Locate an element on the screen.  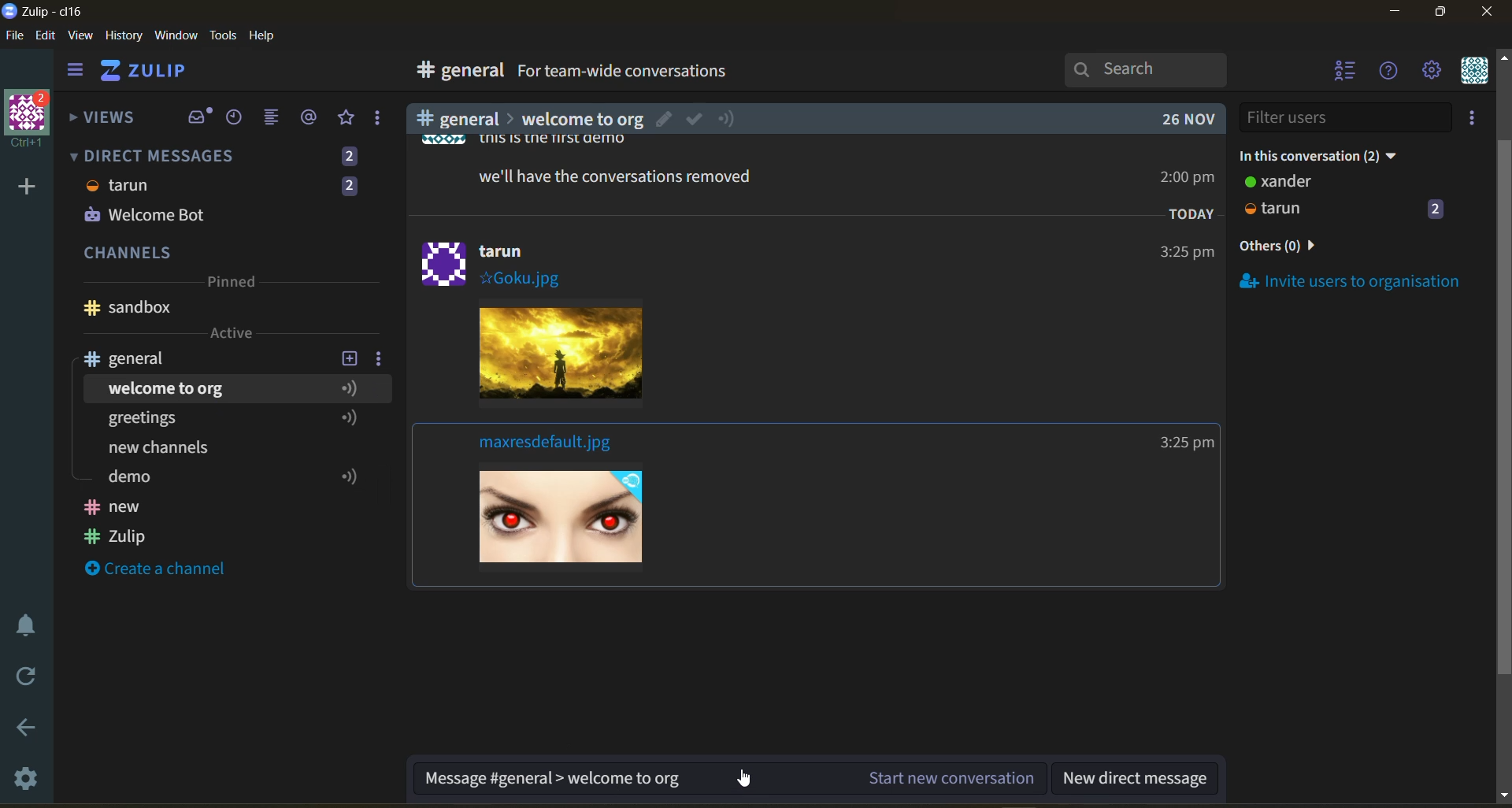
maximize is located at coordinates (1437, 17).